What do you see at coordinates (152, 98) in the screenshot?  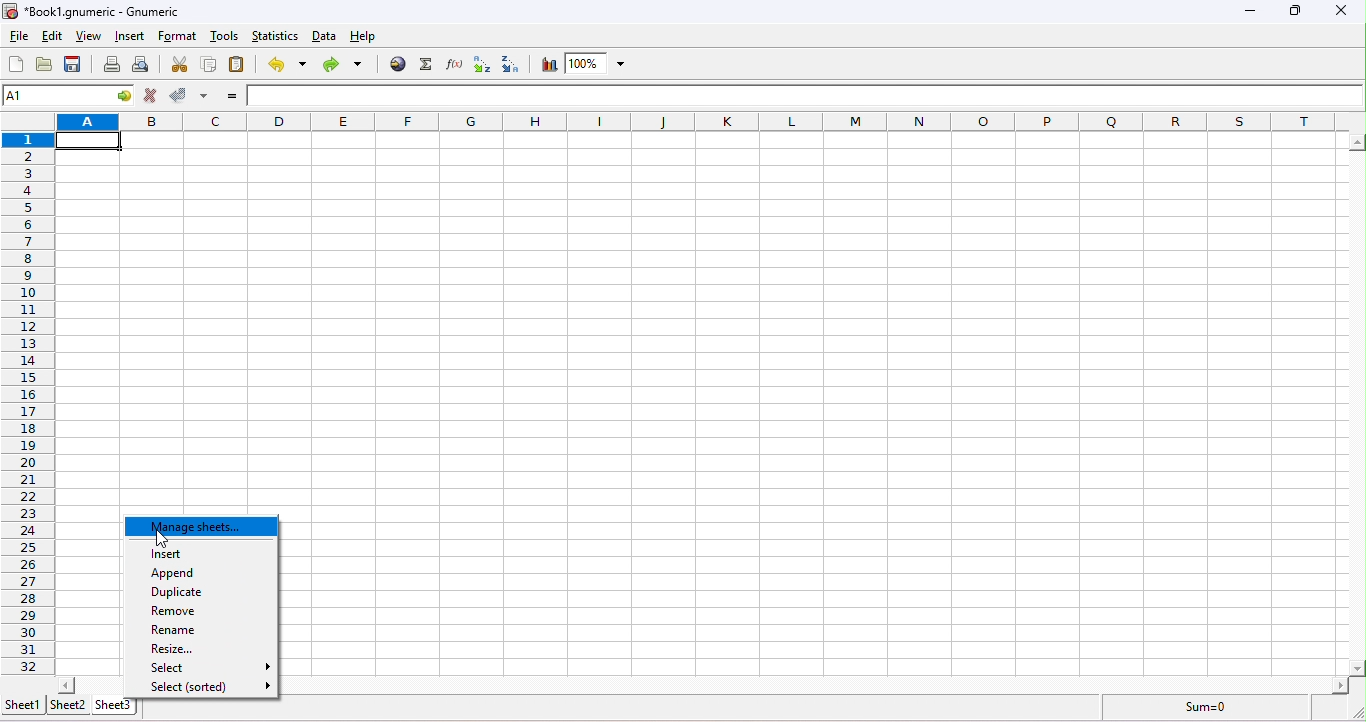 I see `cancel change` at bounding box center [152, 98].